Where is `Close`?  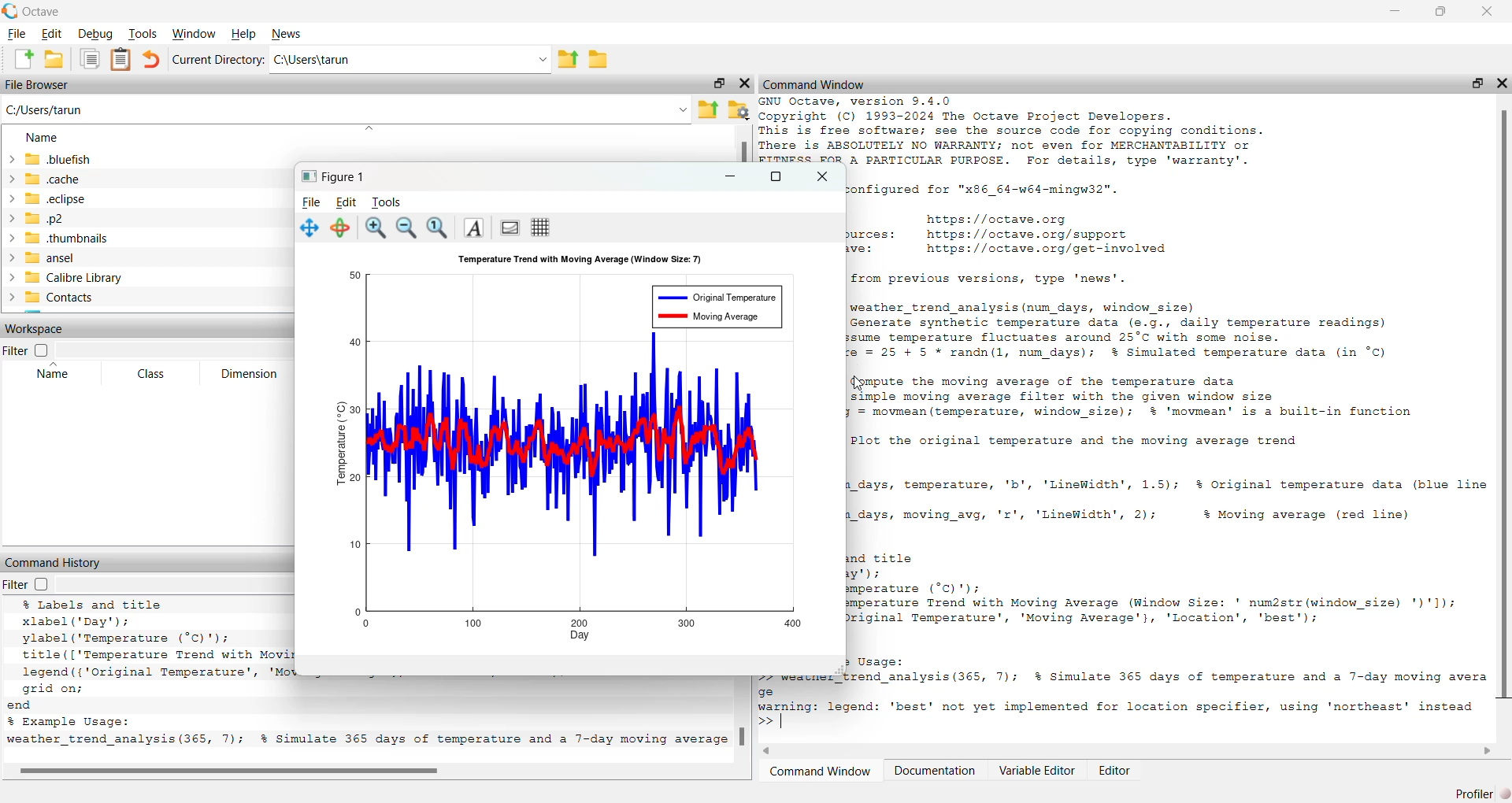 Close is located at coordinates (825, 178).